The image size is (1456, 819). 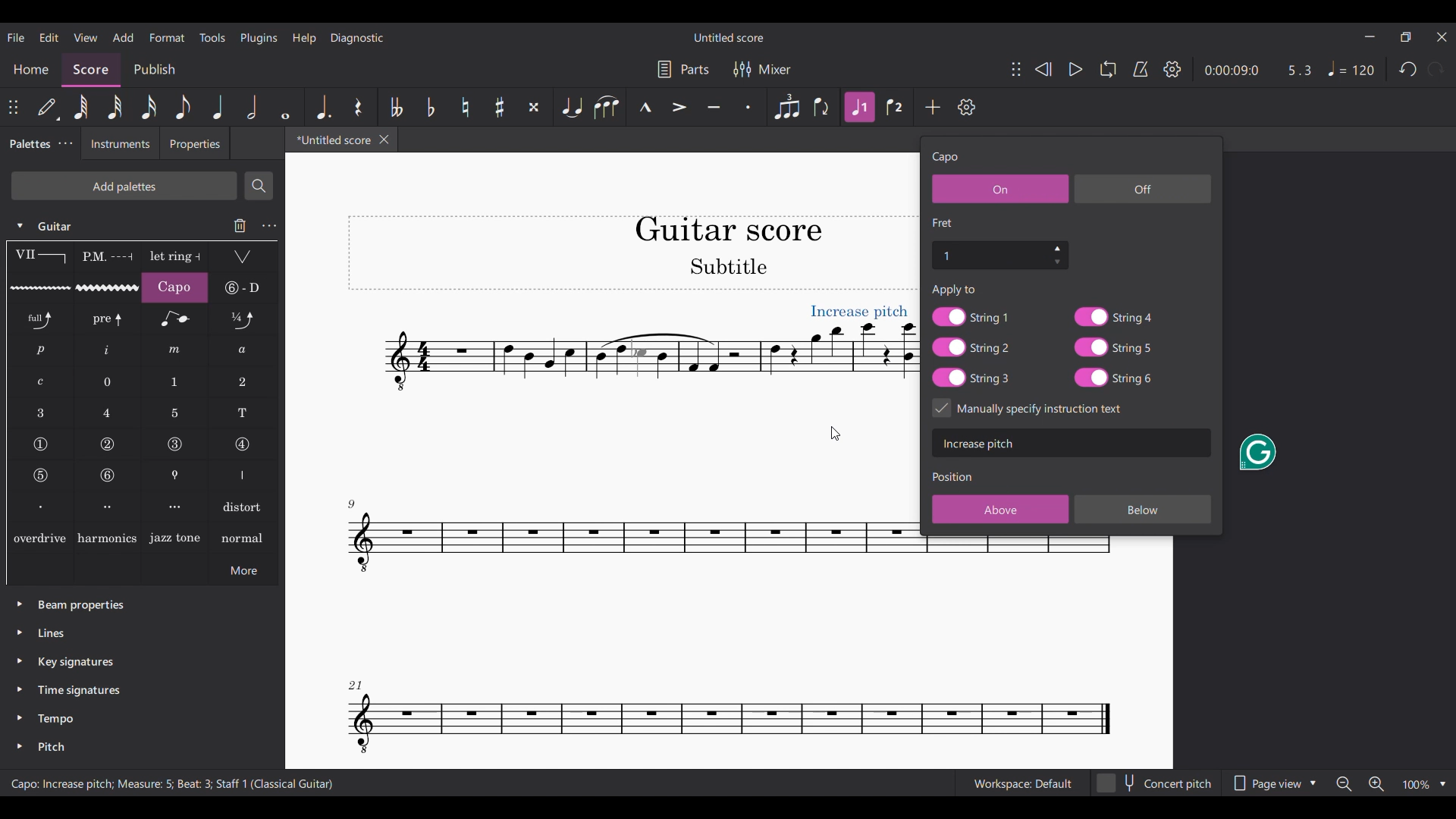 What do you see at coordinates (1345, 784) in the screenshot?
I see `Zoom out` at bounding box center [1345, 784].